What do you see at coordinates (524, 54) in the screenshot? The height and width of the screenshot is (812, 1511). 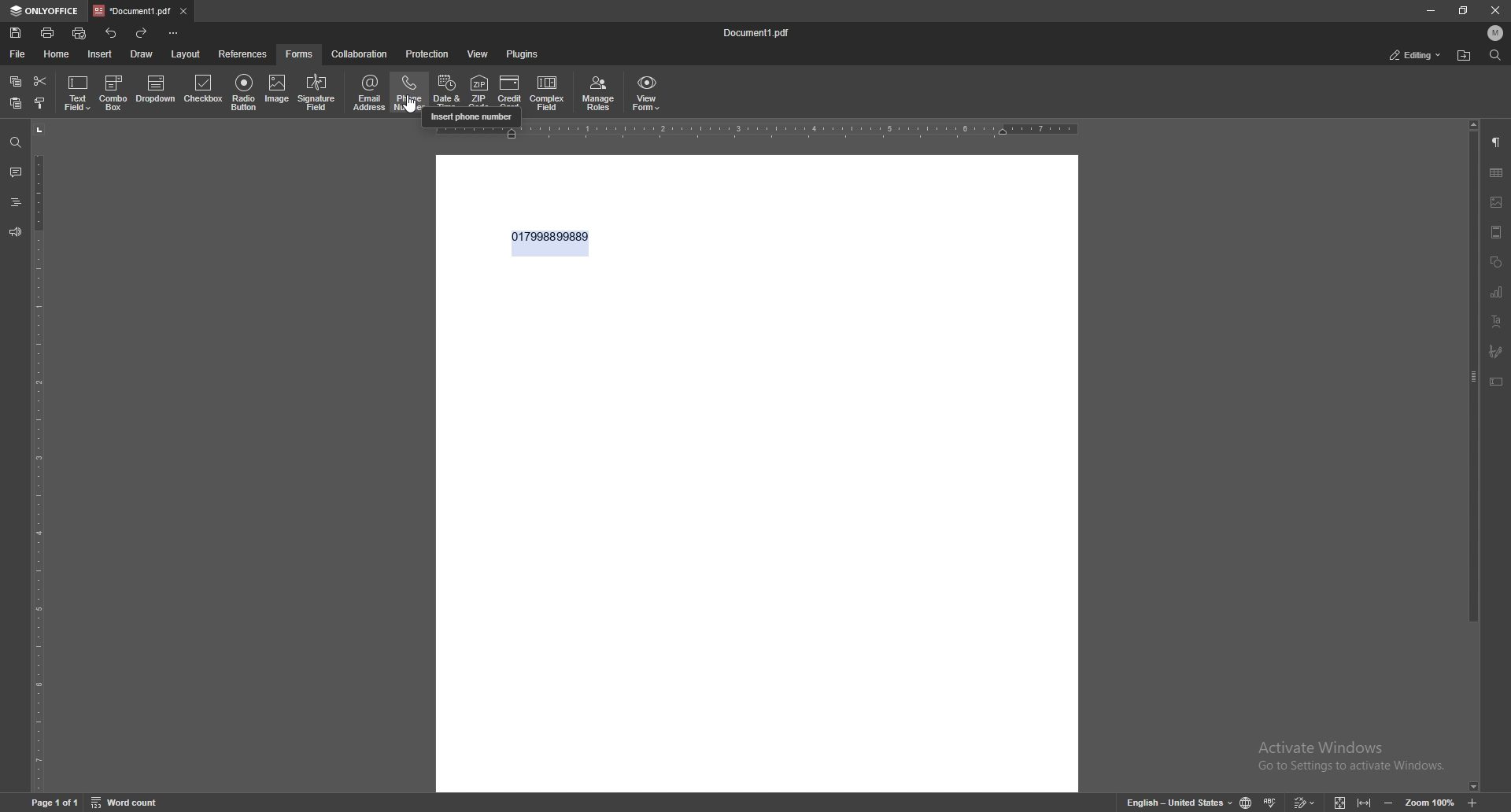 I see `plugins` at bounding box center [524, 54].